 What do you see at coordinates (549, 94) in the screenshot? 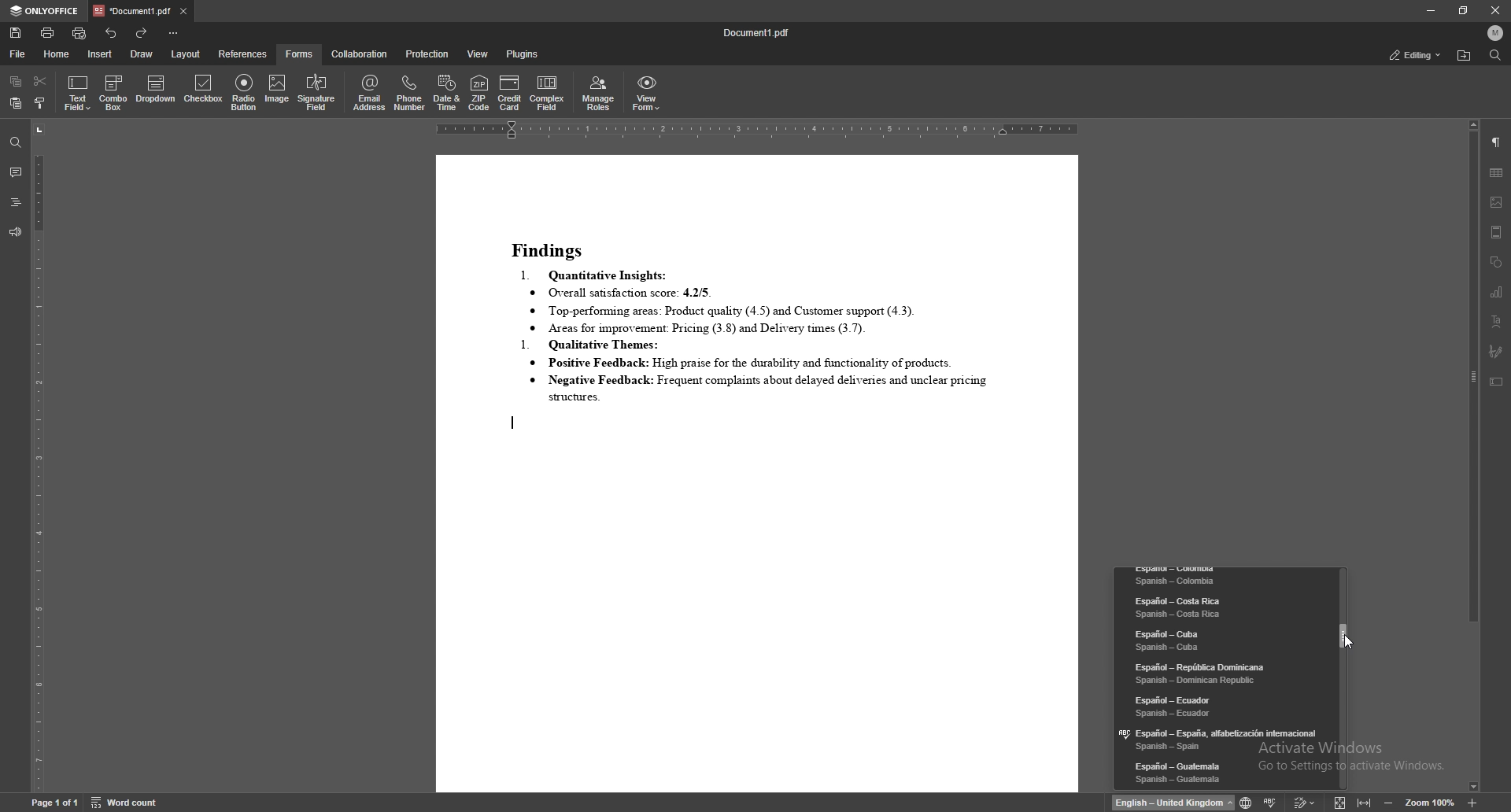
I see `complex field` at bounding box center [549, 94].